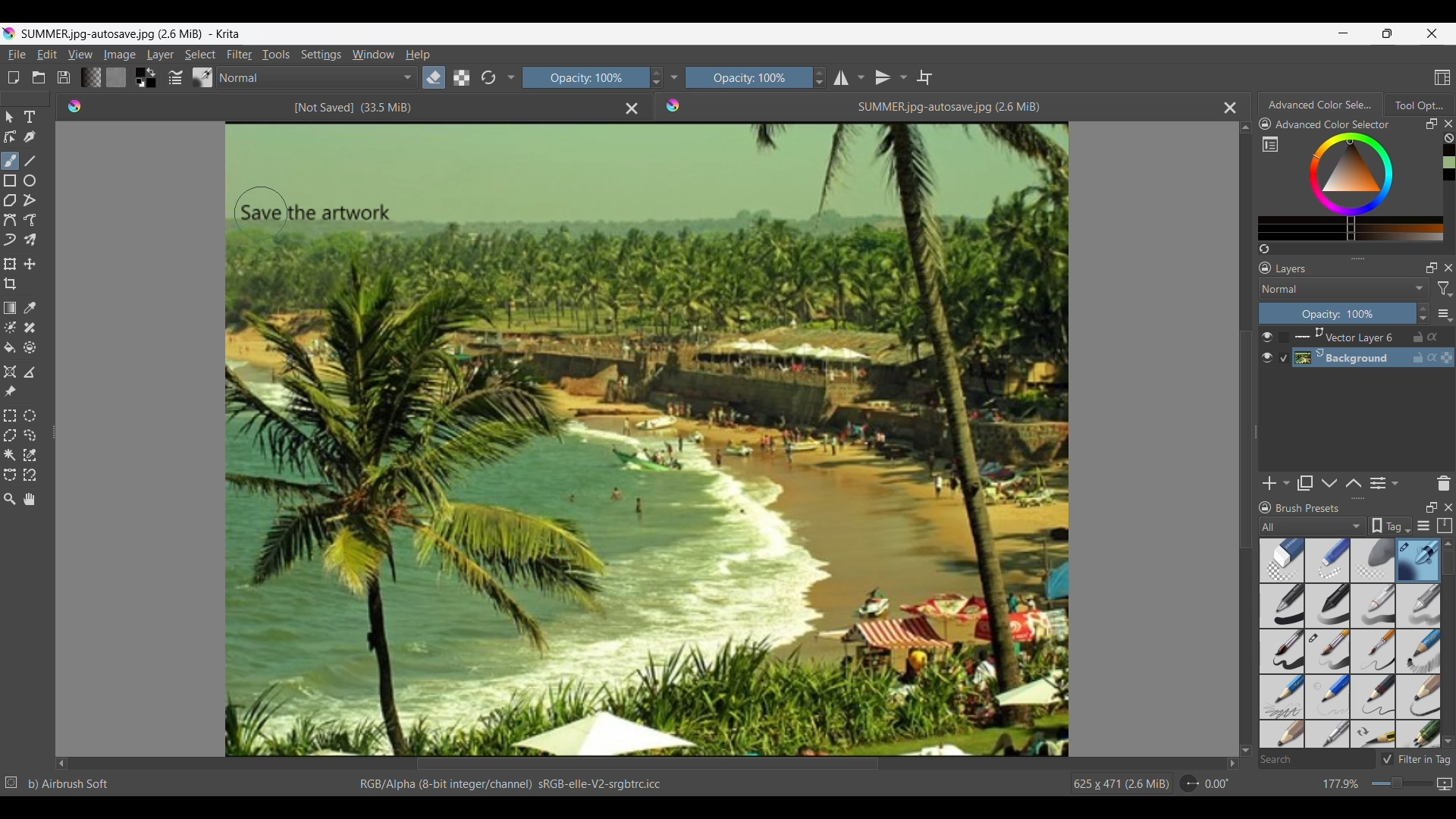 The image size is (1456, 819). I want to click on Crop tool, so click(11, 284).